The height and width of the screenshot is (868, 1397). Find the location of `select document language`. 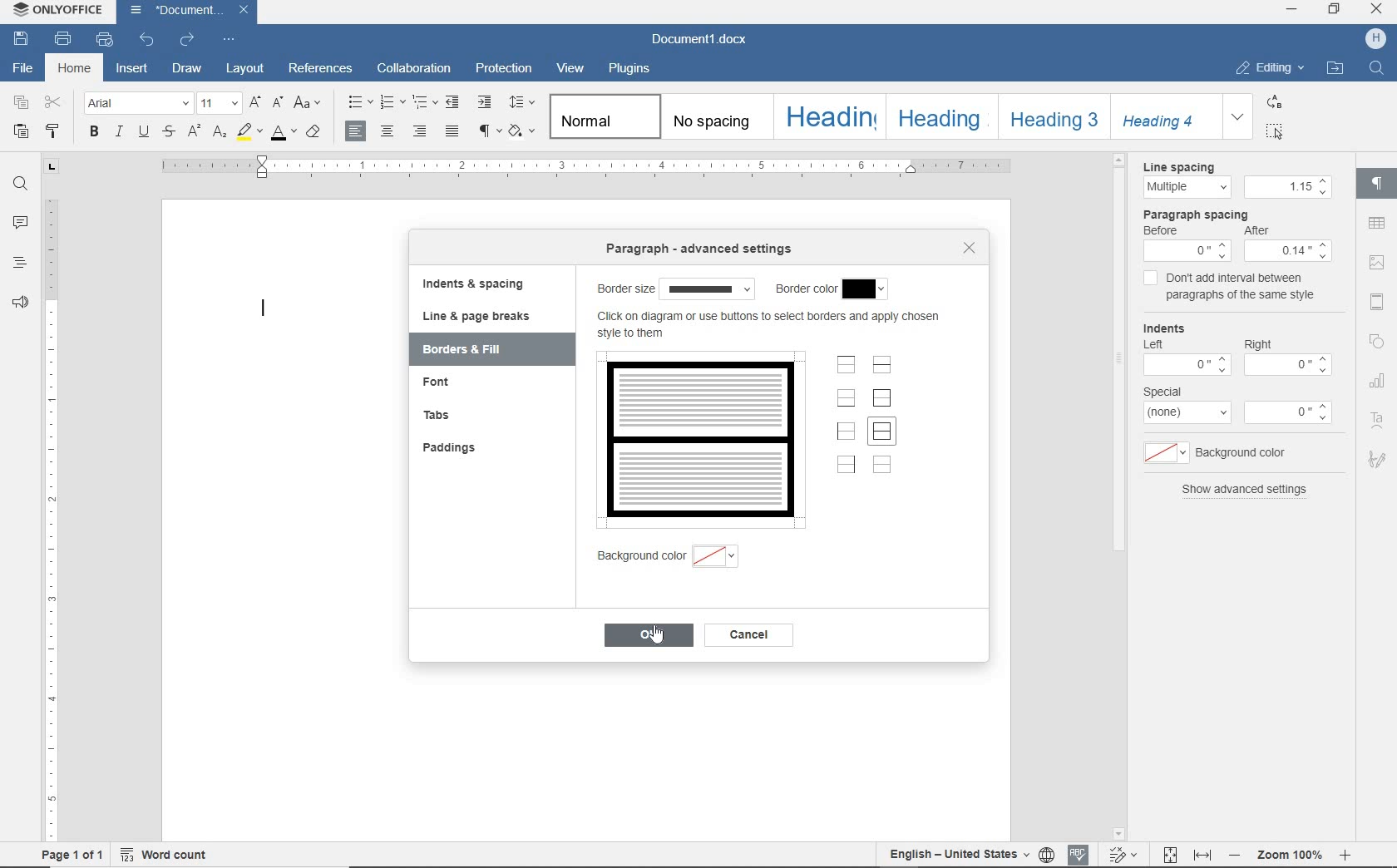

select document language is located at coordinates (1046, 854).